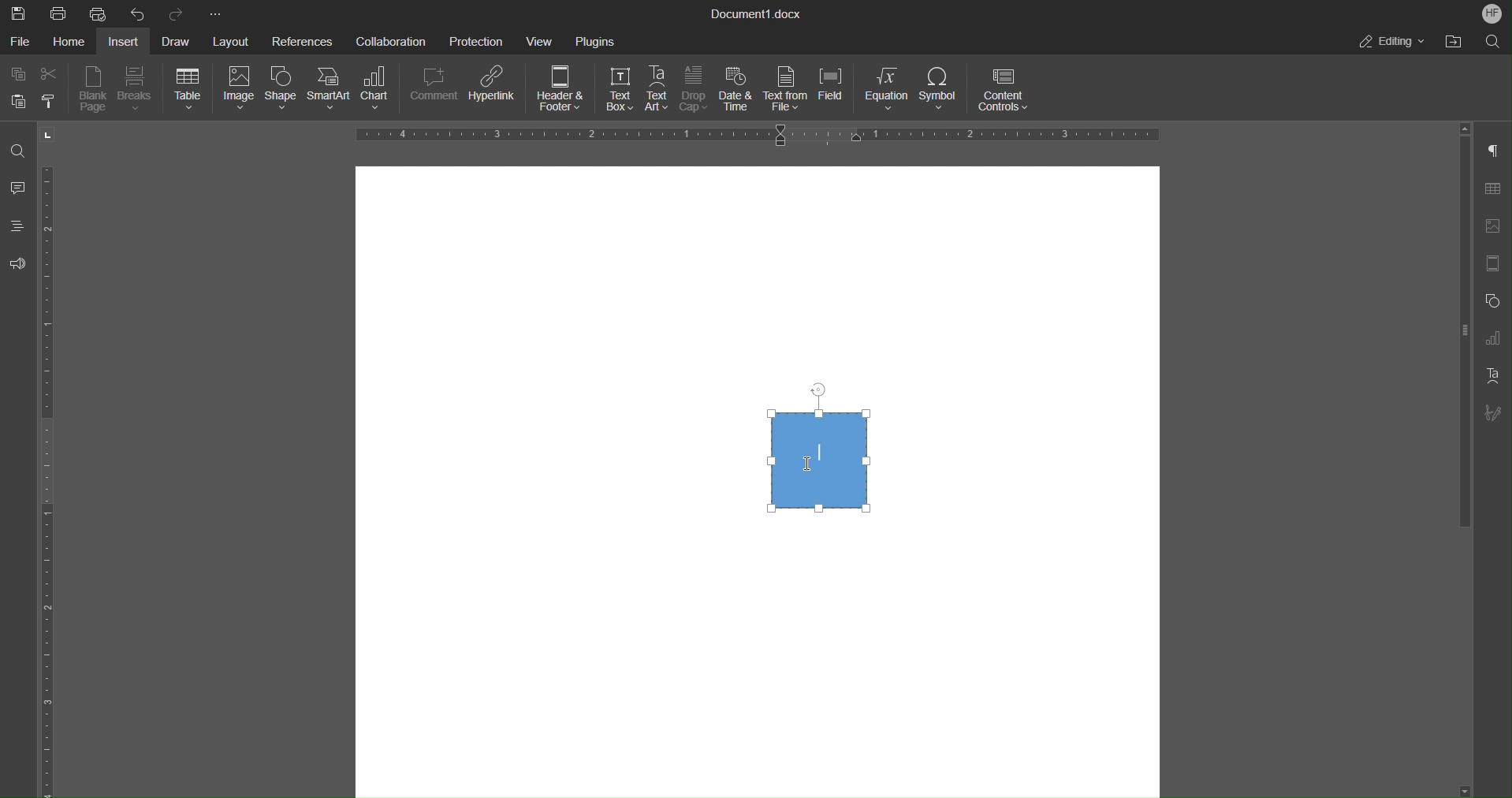 The width and height of the screenshot is (1512, 798). Describe the element at coordinates (95, 91) in the screenshot. I see `Blank Page` at that location.